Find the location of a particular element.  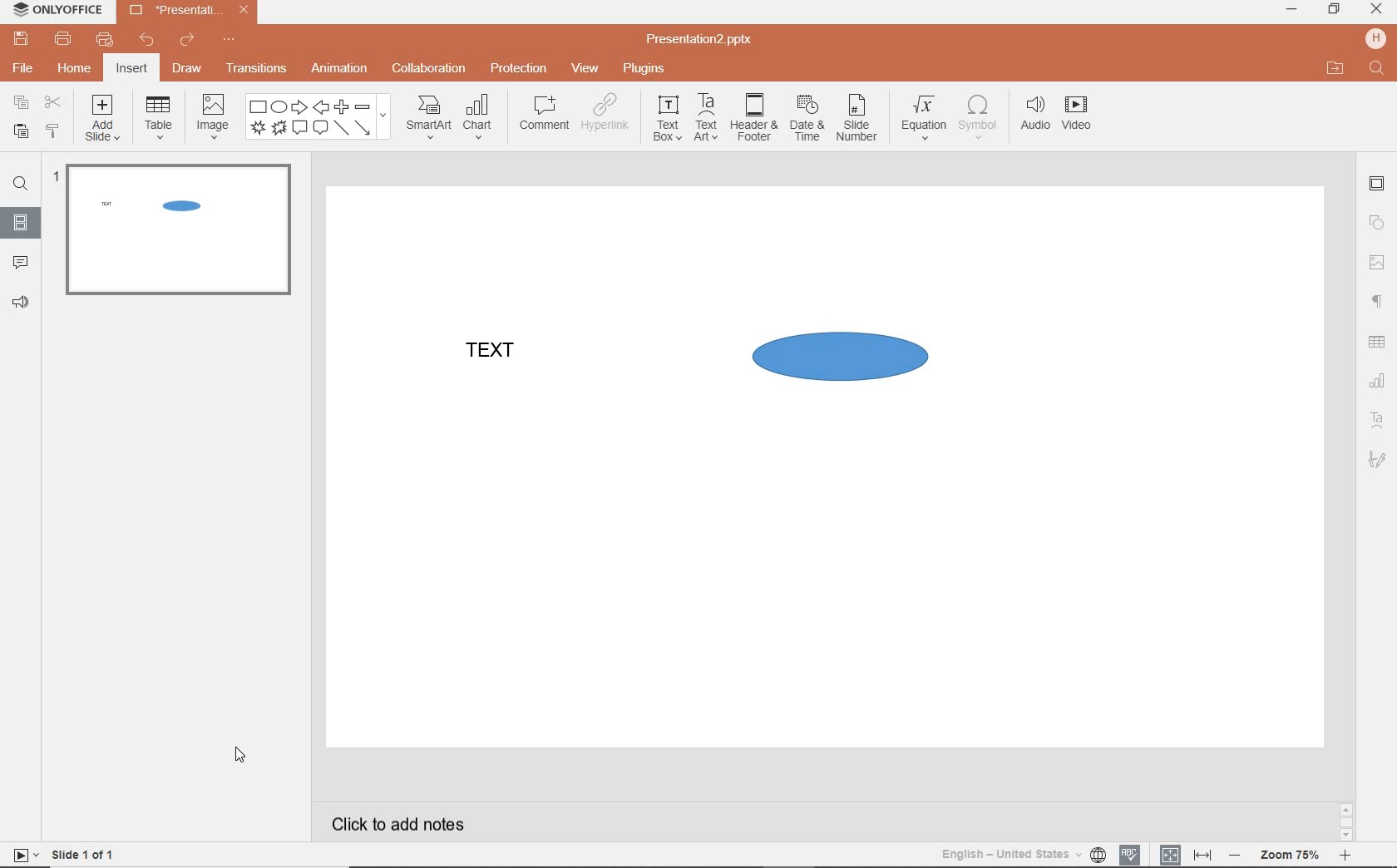

redo is located at coordinates (186, 42).